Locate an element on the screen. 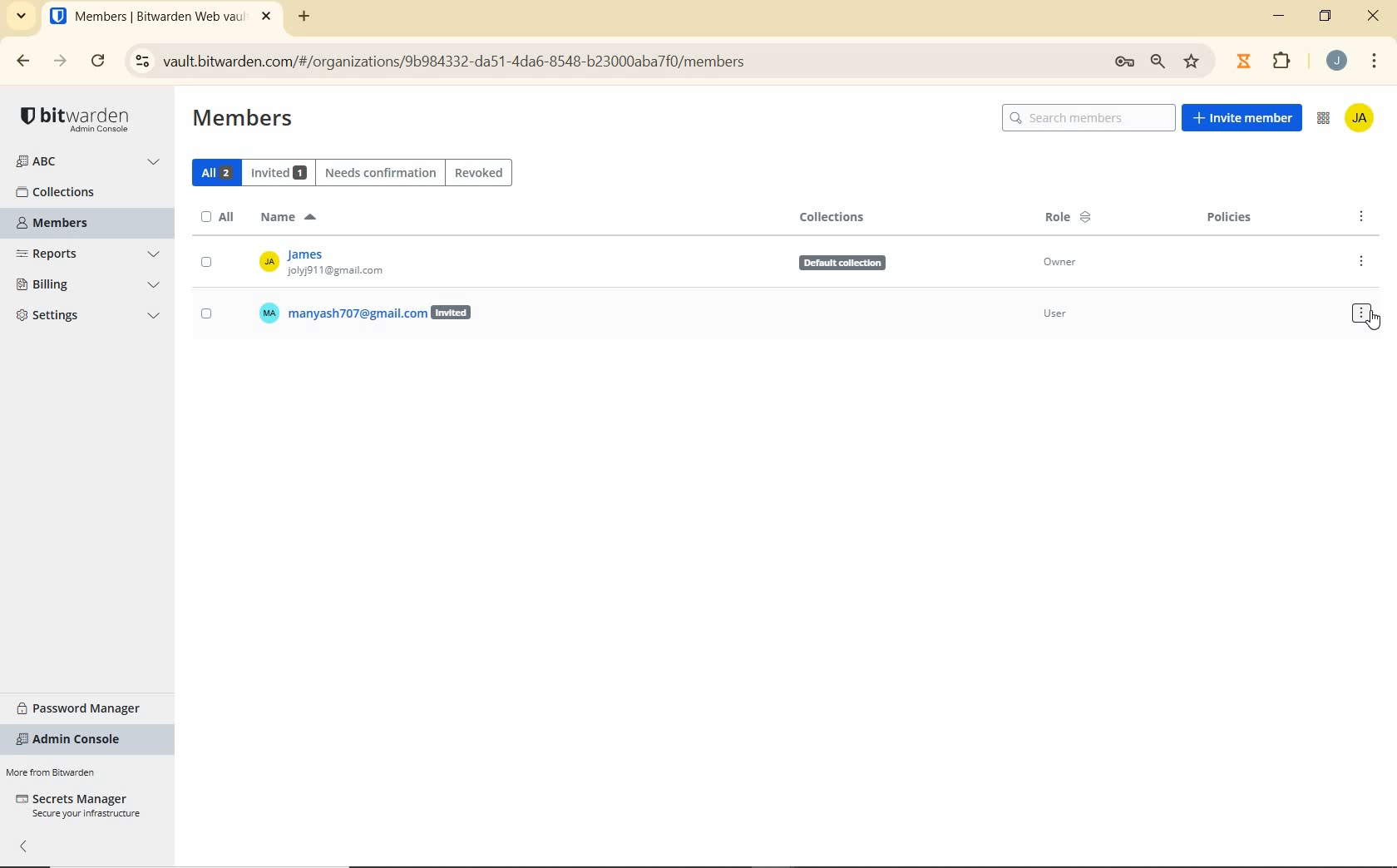  FORWARD is located at coordinates (57, 62).